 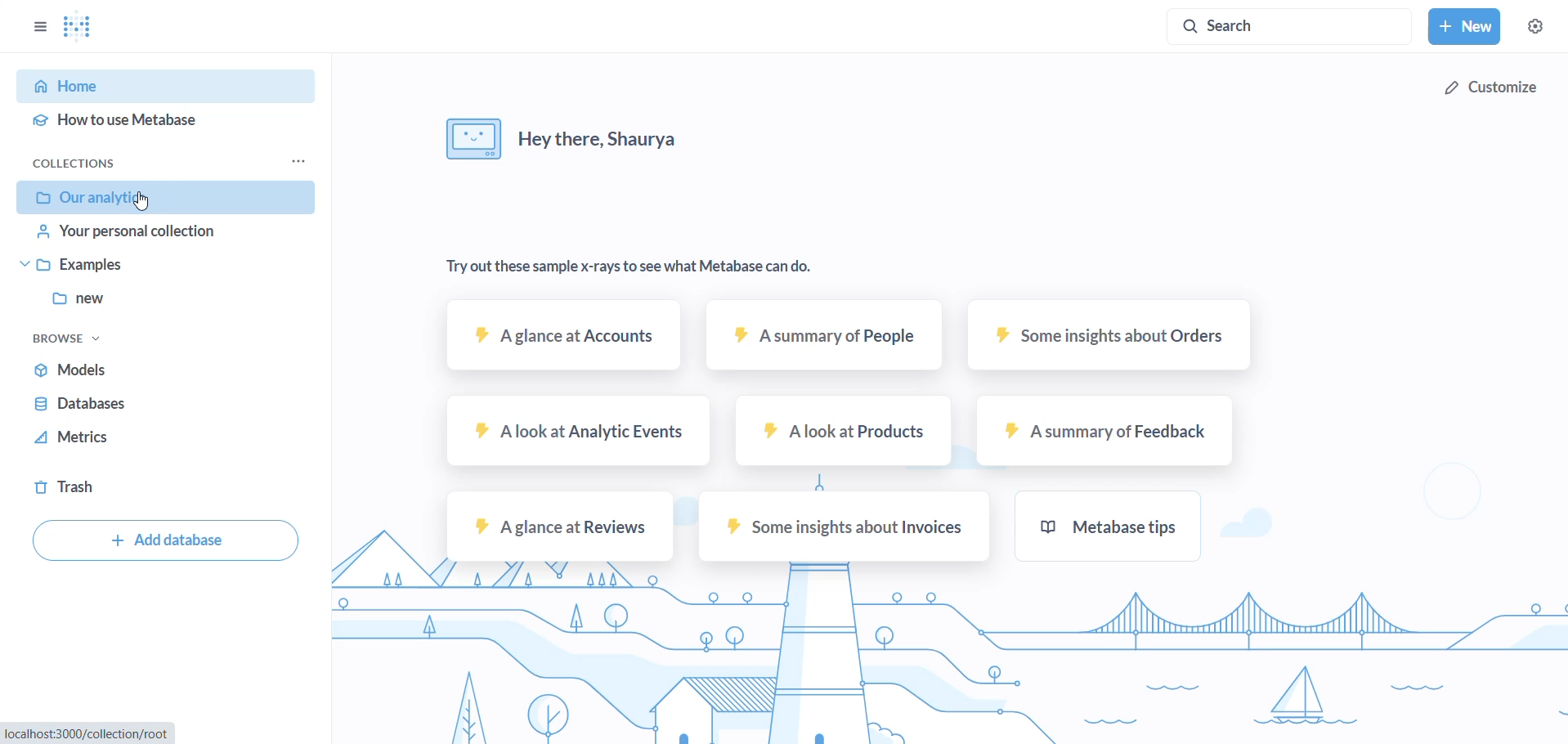 What do you see at coordinates (161, 88) in the screenshot?
I see `home` at bounding box center [161, 88].